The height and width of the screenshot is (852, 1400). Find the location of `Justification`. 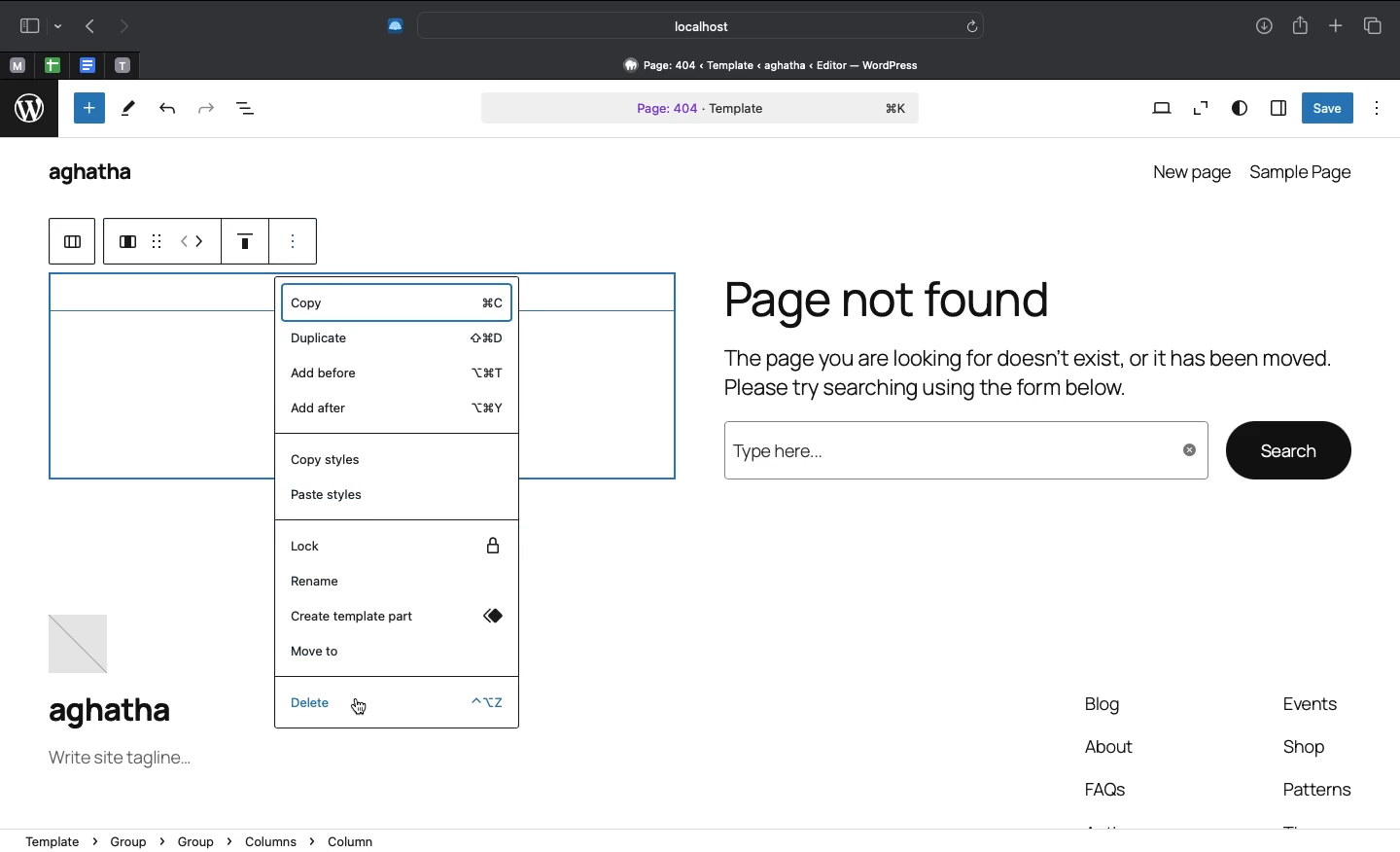

Justification is located at coordinates (246, 240).